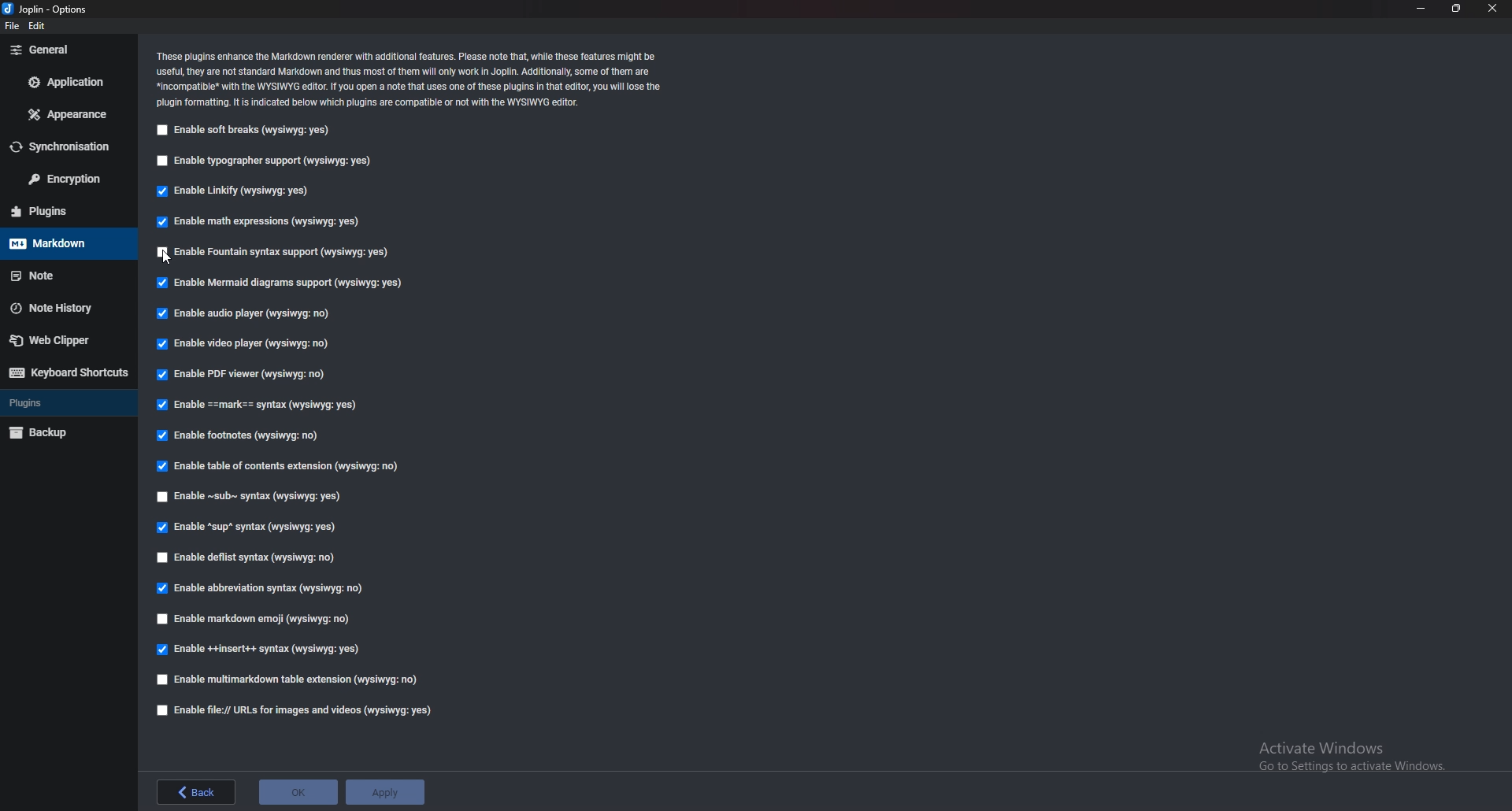 The width and height of the screenshot is (1512, 811). What do you see at coordinates (1362, 761) in the screenshot?
I see `Activate windows pop up` at bounding box center [1362, 761].